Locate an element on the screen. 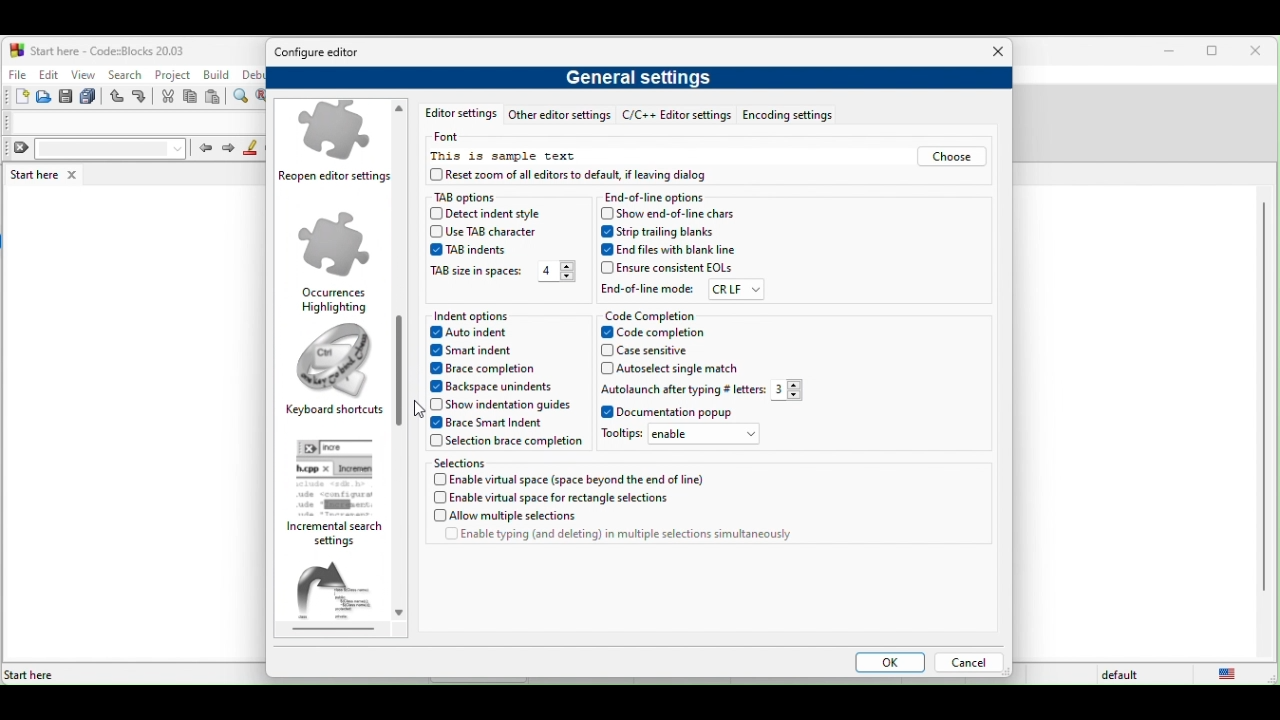 The width and height of the screenshot is (1280, 720). file is located at coordinates (16, 72).